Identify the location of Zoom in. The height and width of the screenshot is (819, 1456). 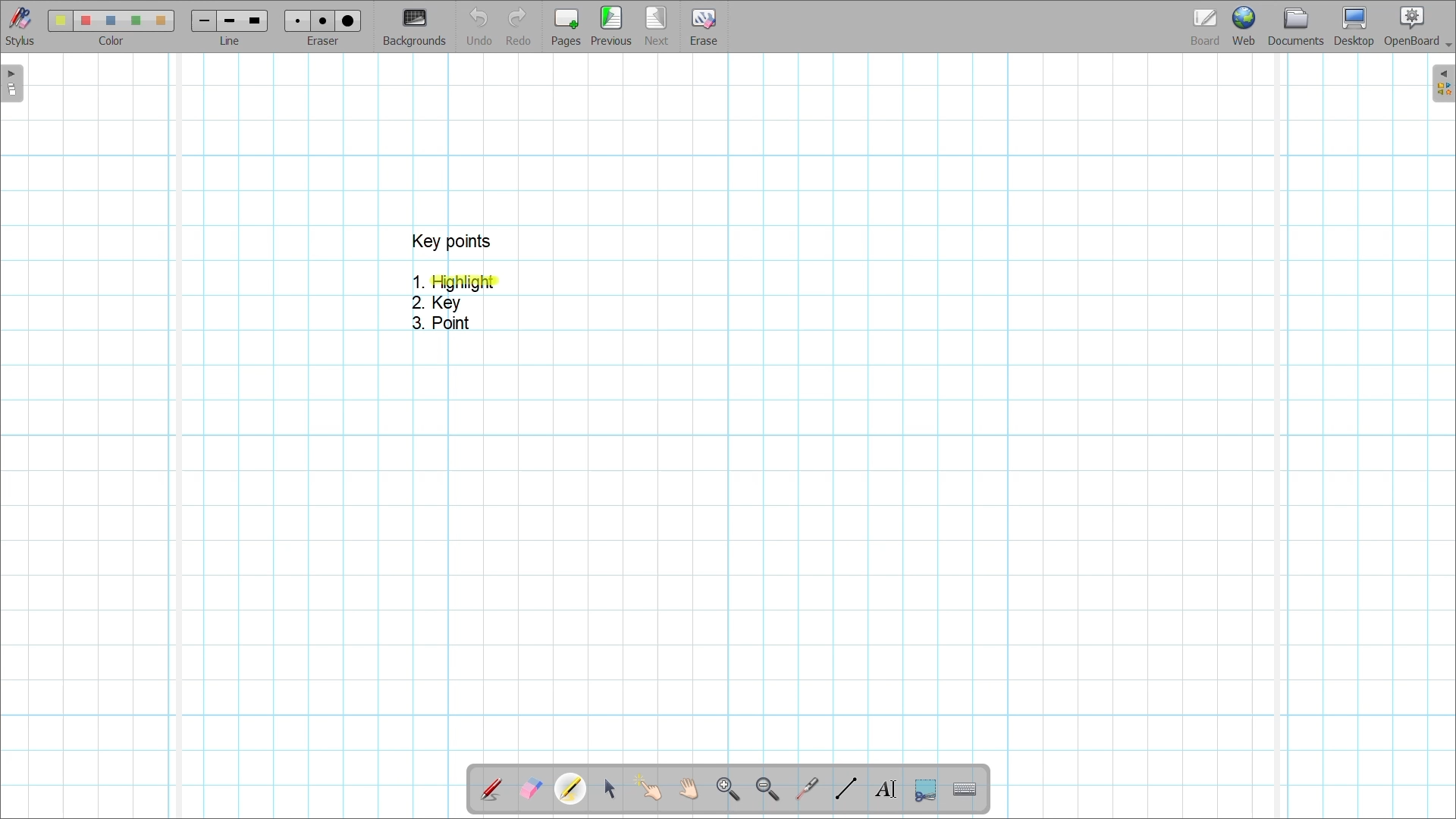
(729, 790).